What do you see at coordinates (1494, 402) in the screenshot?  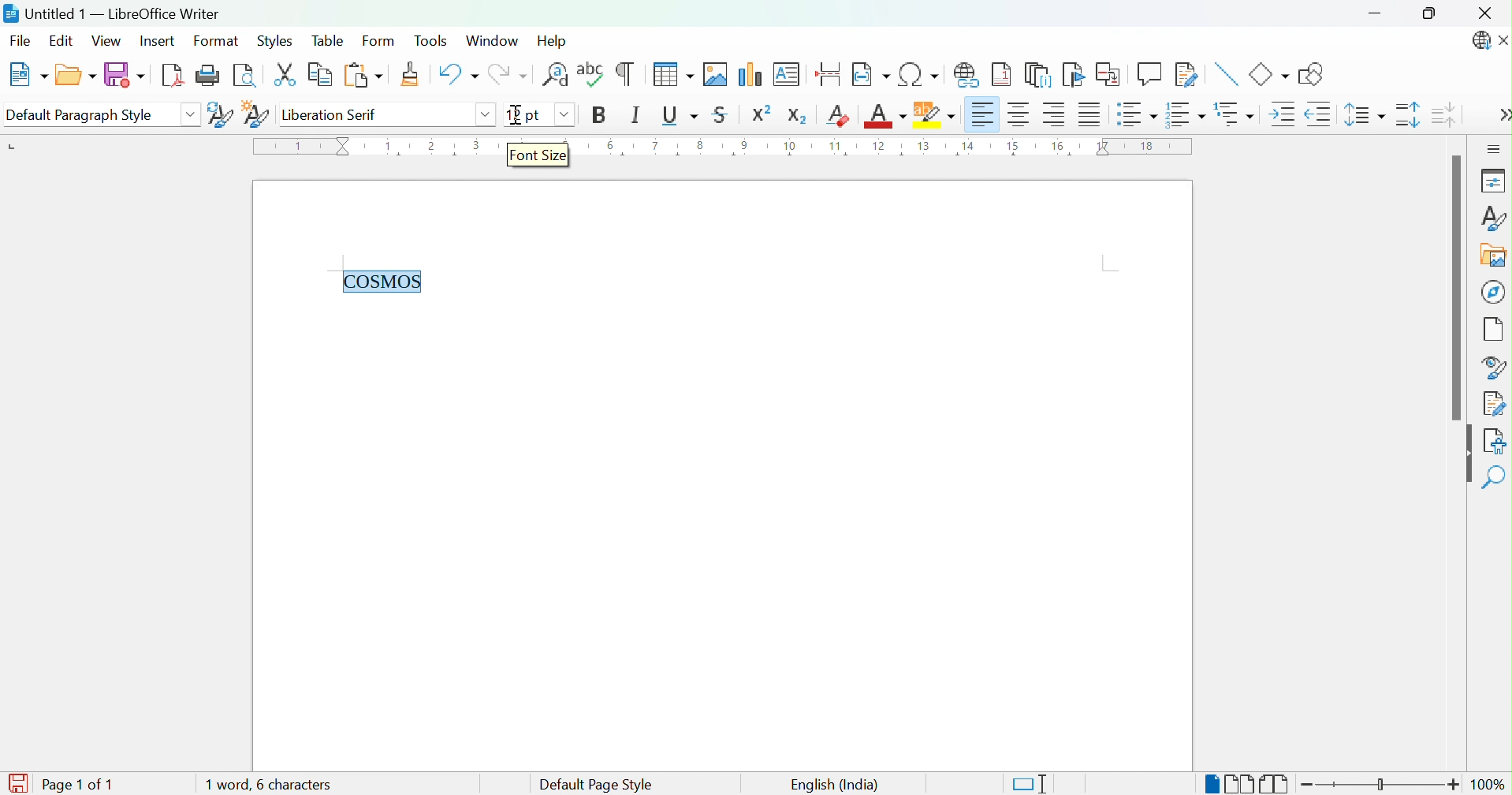 I see `Manage Settings` at bounding box center [1494, 402].